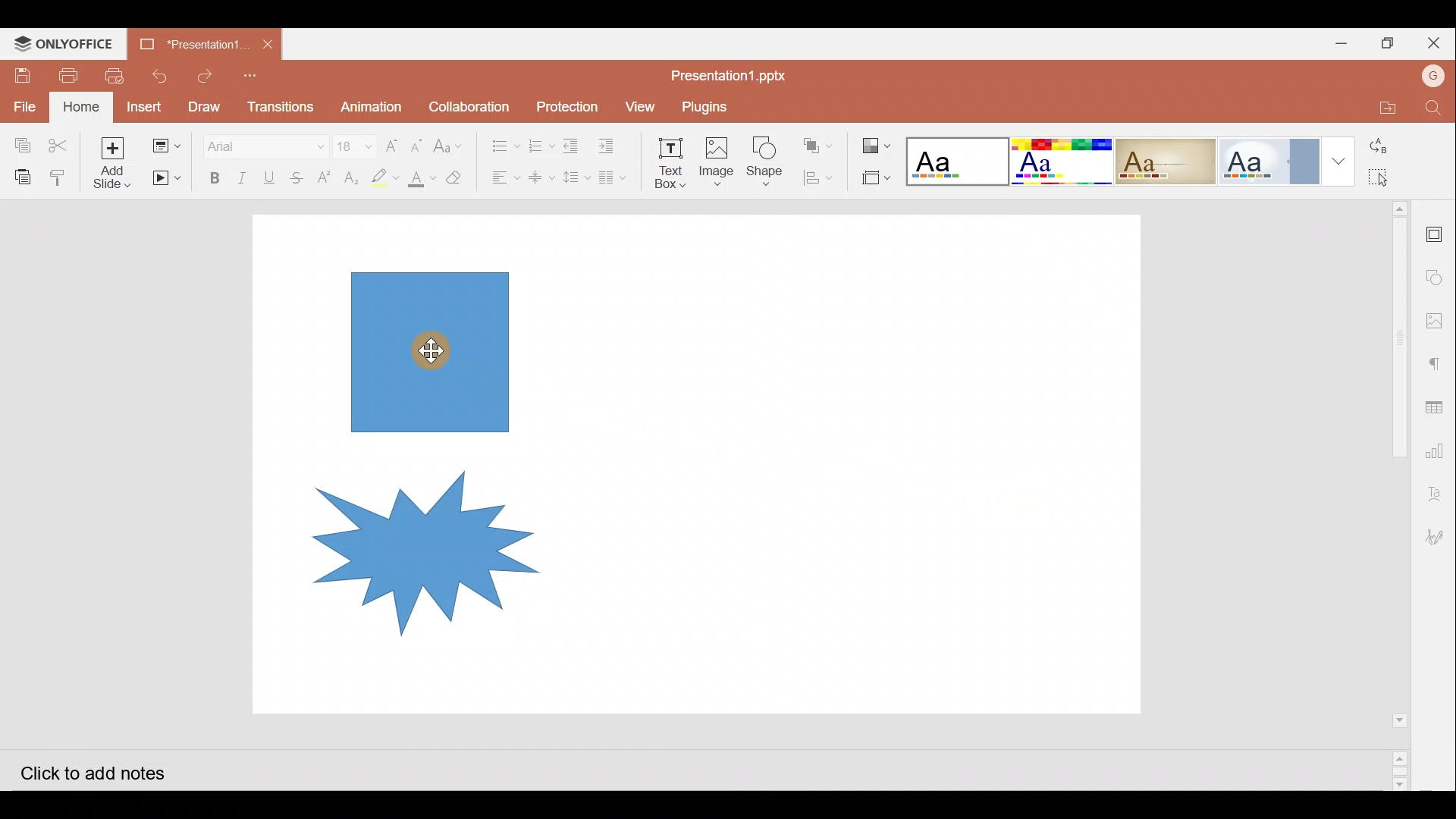 The image size is (1456, 819). What do you see at coordinates (1387, 146) in the screenshot?
I see `Replace` at bounding box center [1387, 146].